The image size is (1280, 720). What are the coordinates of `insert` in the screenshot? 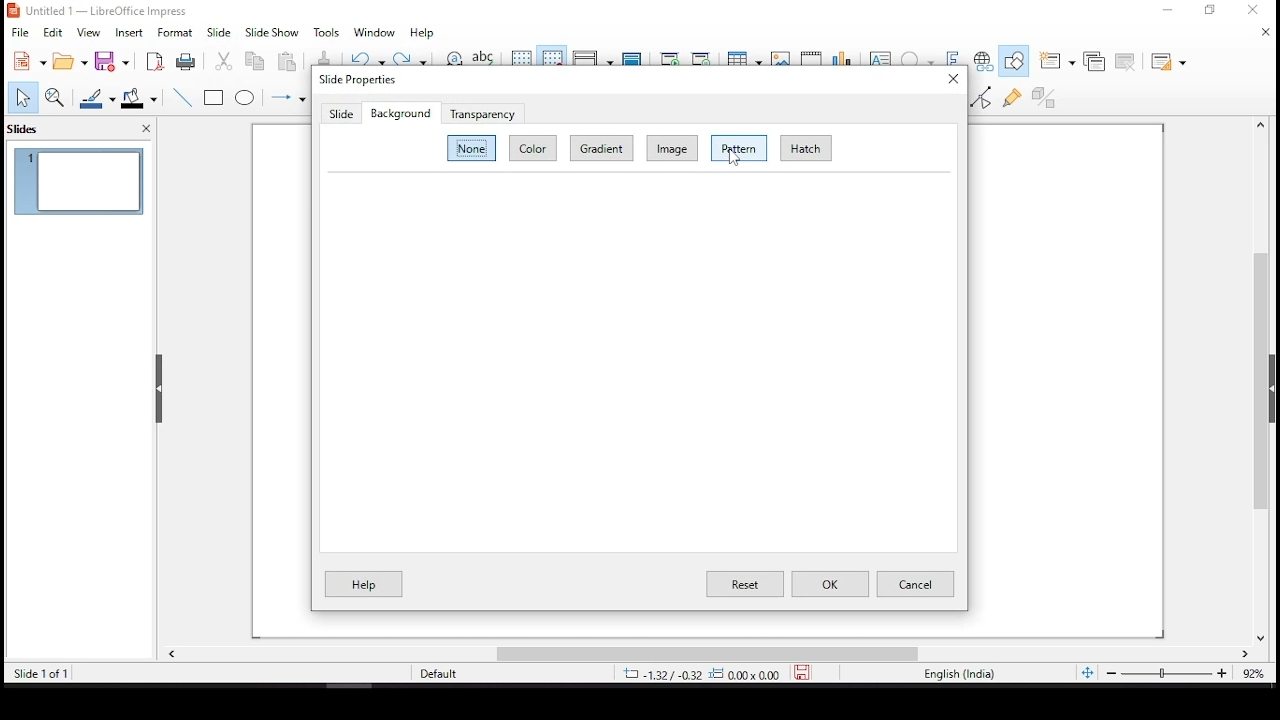 It's located at (128, 33).